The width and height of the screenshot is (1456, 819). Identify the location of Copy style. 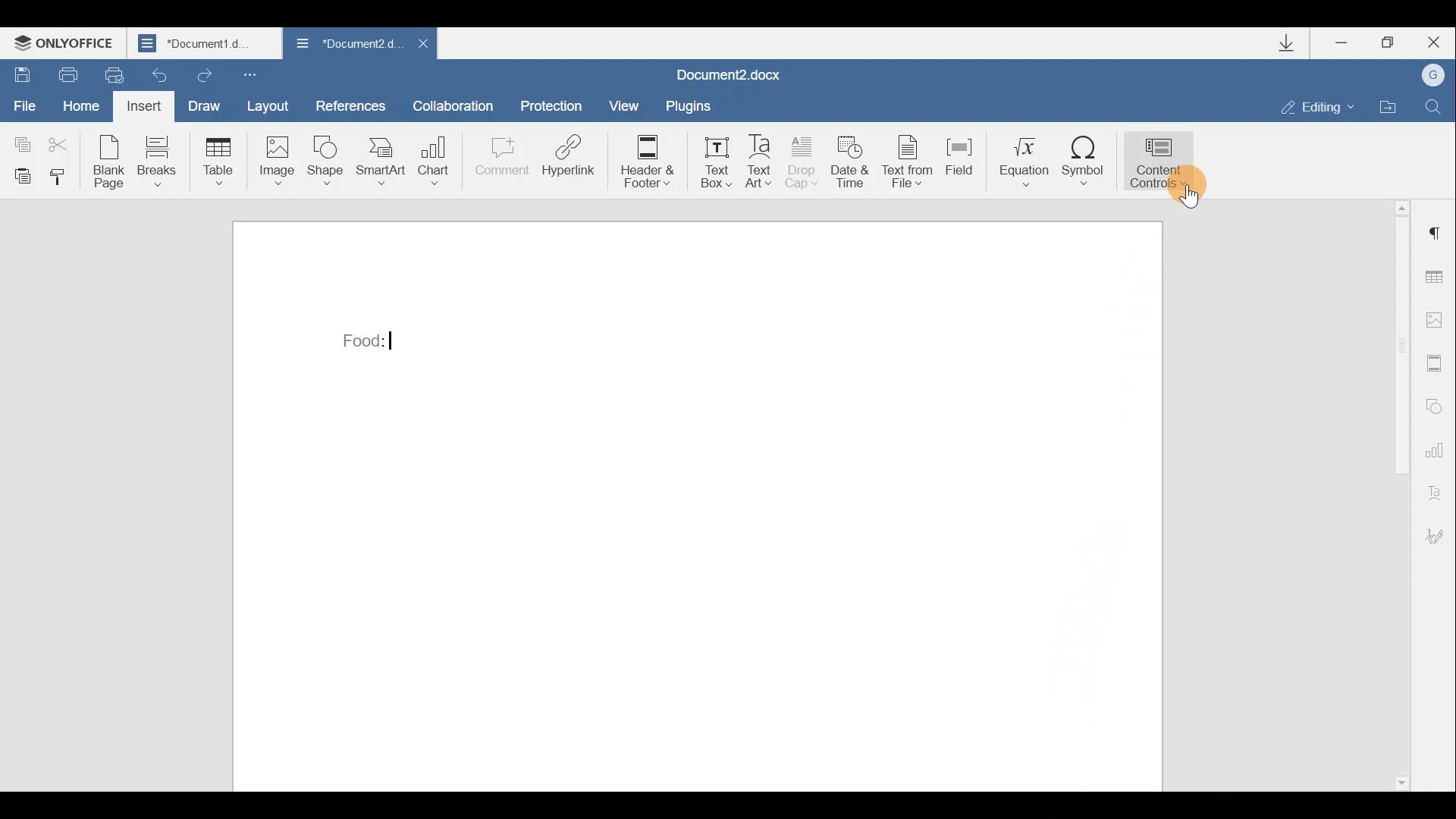
(59, 180).